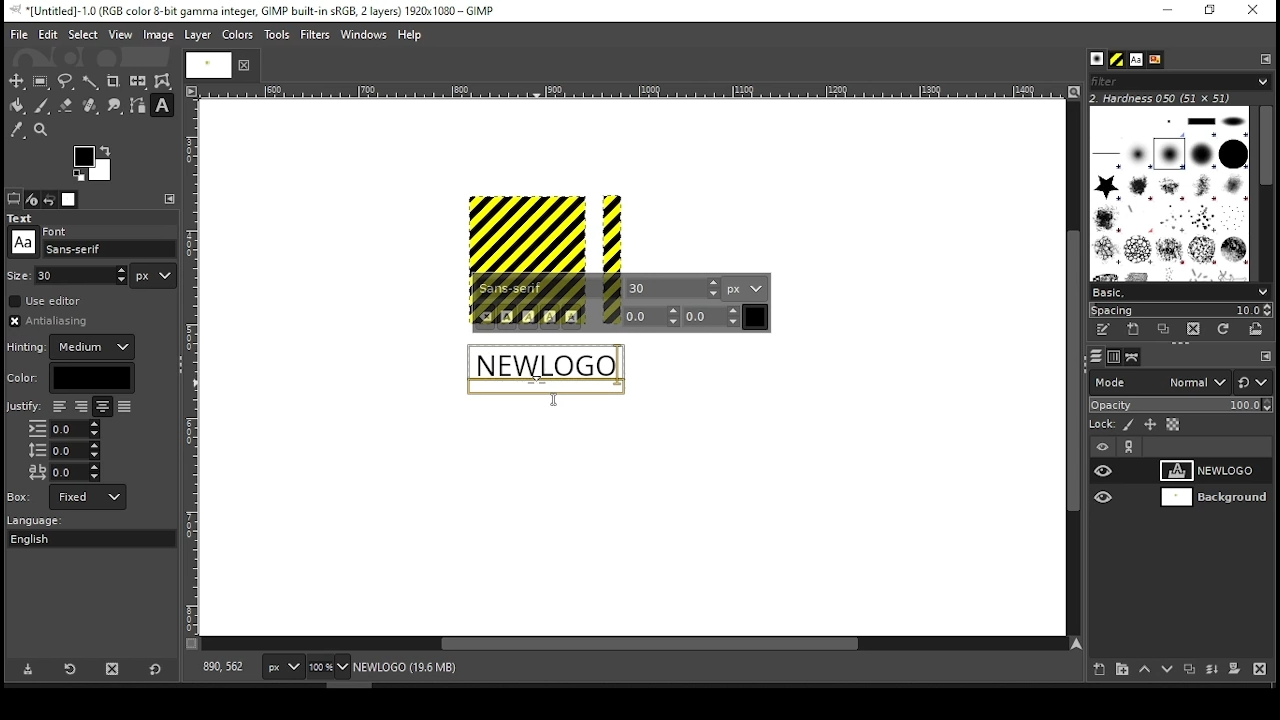 The height and width of the screenshot is (720, 1280). Describe the element at coordinates (1180, 310) in the screenshot. I see `spacing` at that location.